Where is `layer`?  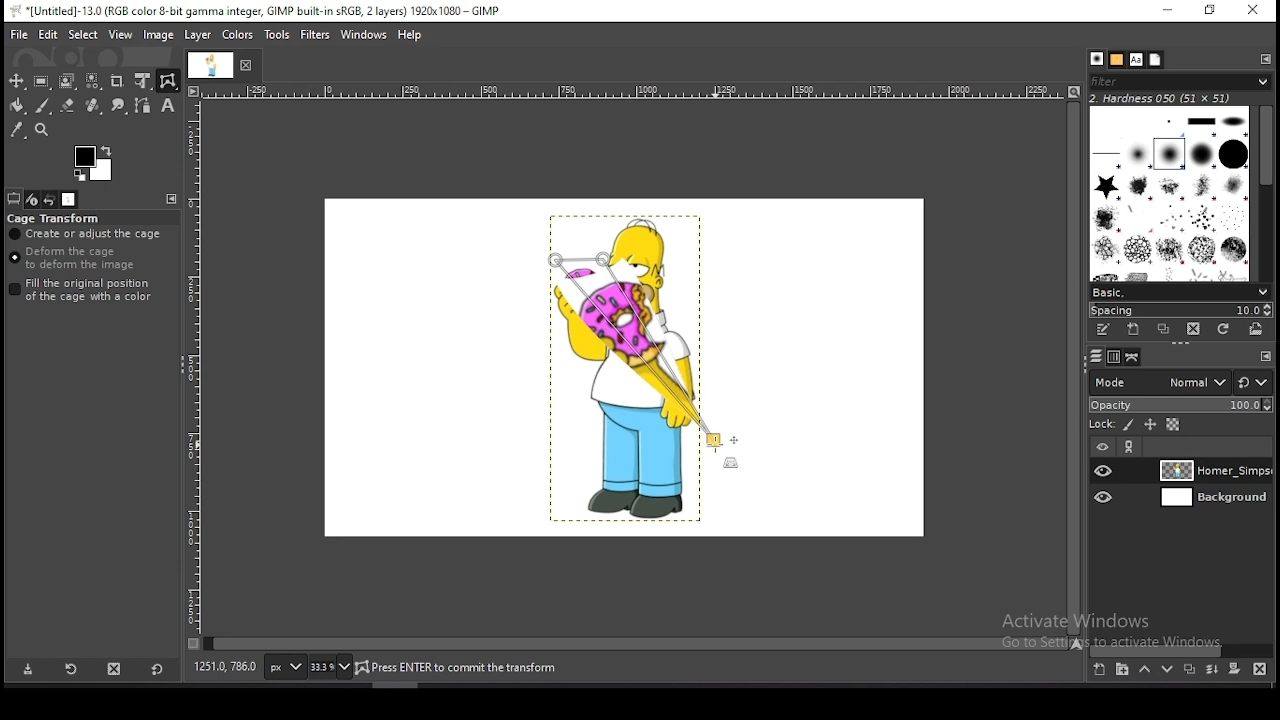
layer is located at coordinates (1211, 499).